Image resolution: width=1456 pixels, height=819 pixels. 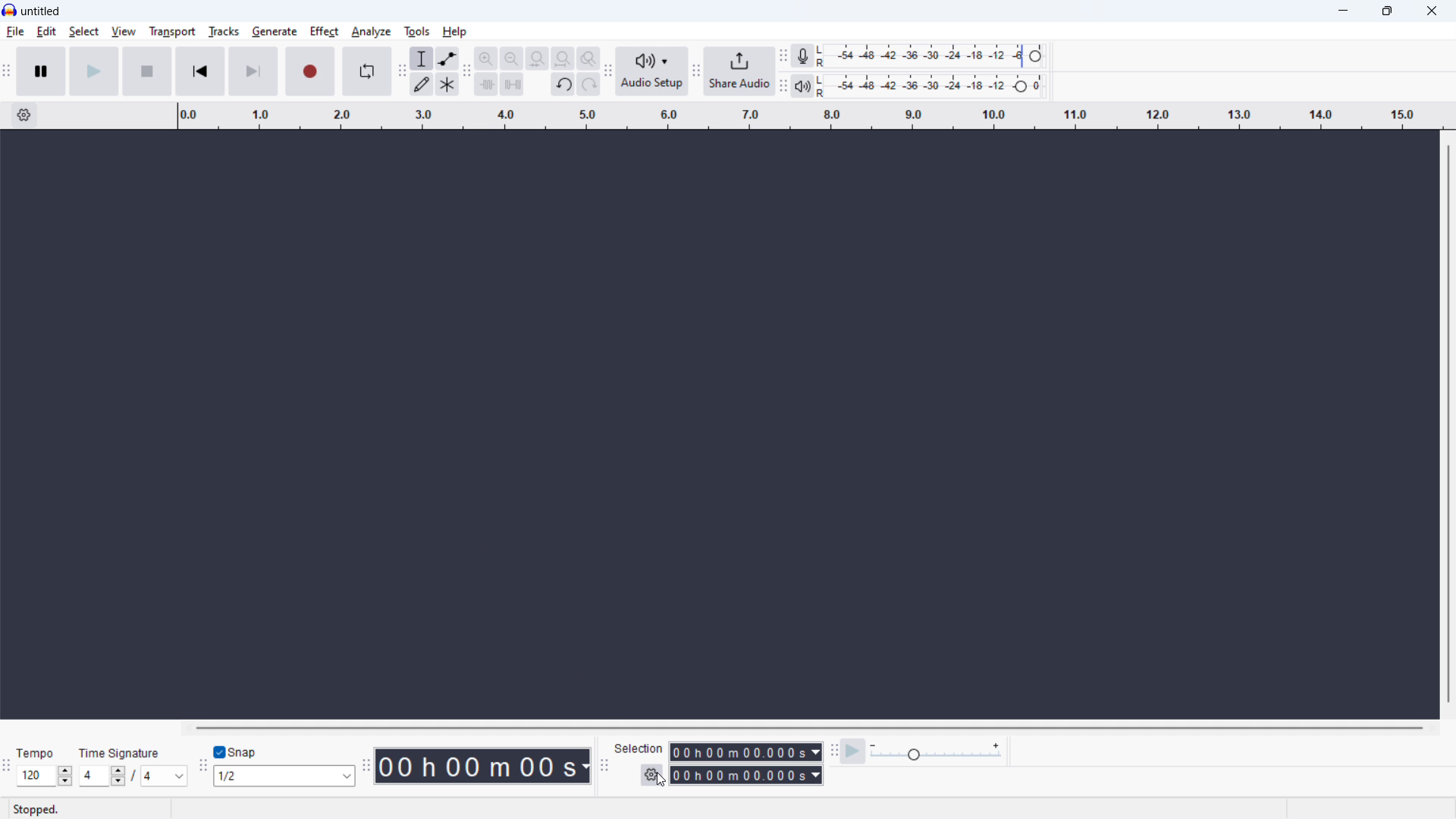 What do you see at coordinates (746, 752) in the screenshot?
I see `start time` at bounding box center [746, 752].